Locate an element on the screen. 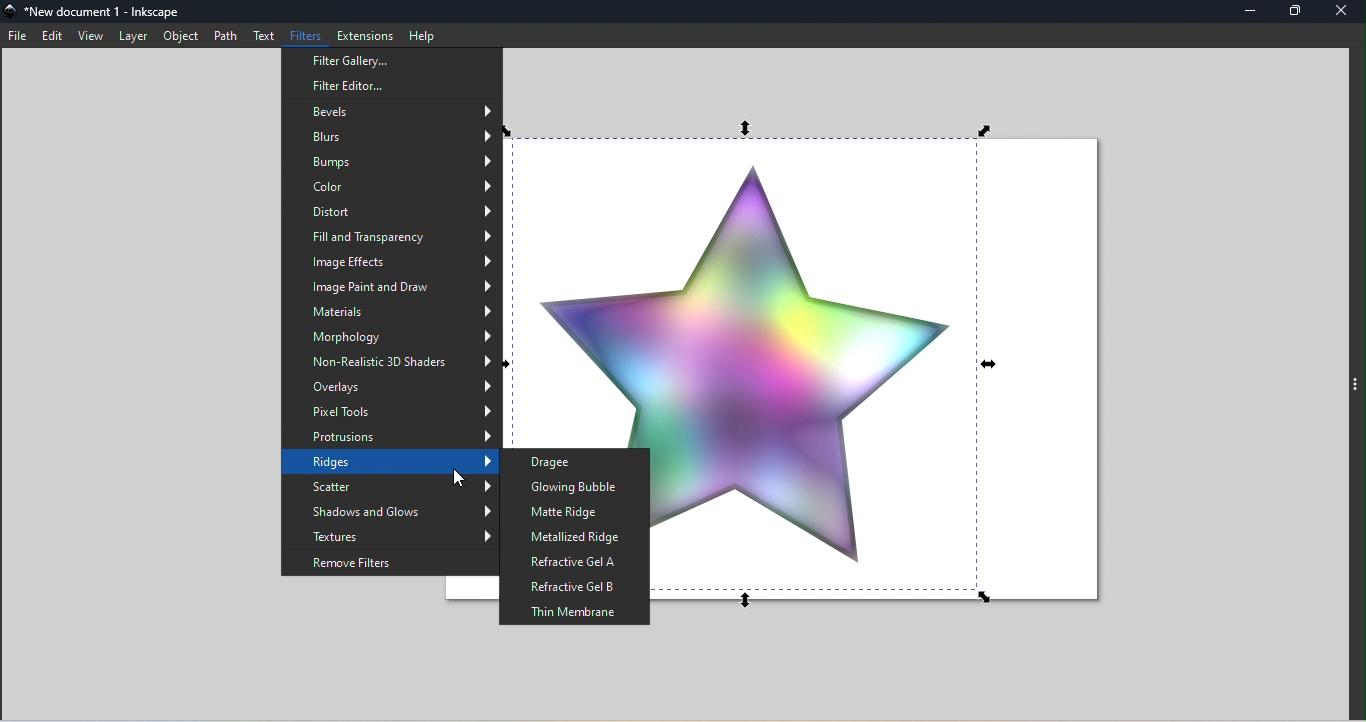 Image resolution: width=1366 pixels, height=722 pixels. Protrusions is located at coordinates (393, 439).